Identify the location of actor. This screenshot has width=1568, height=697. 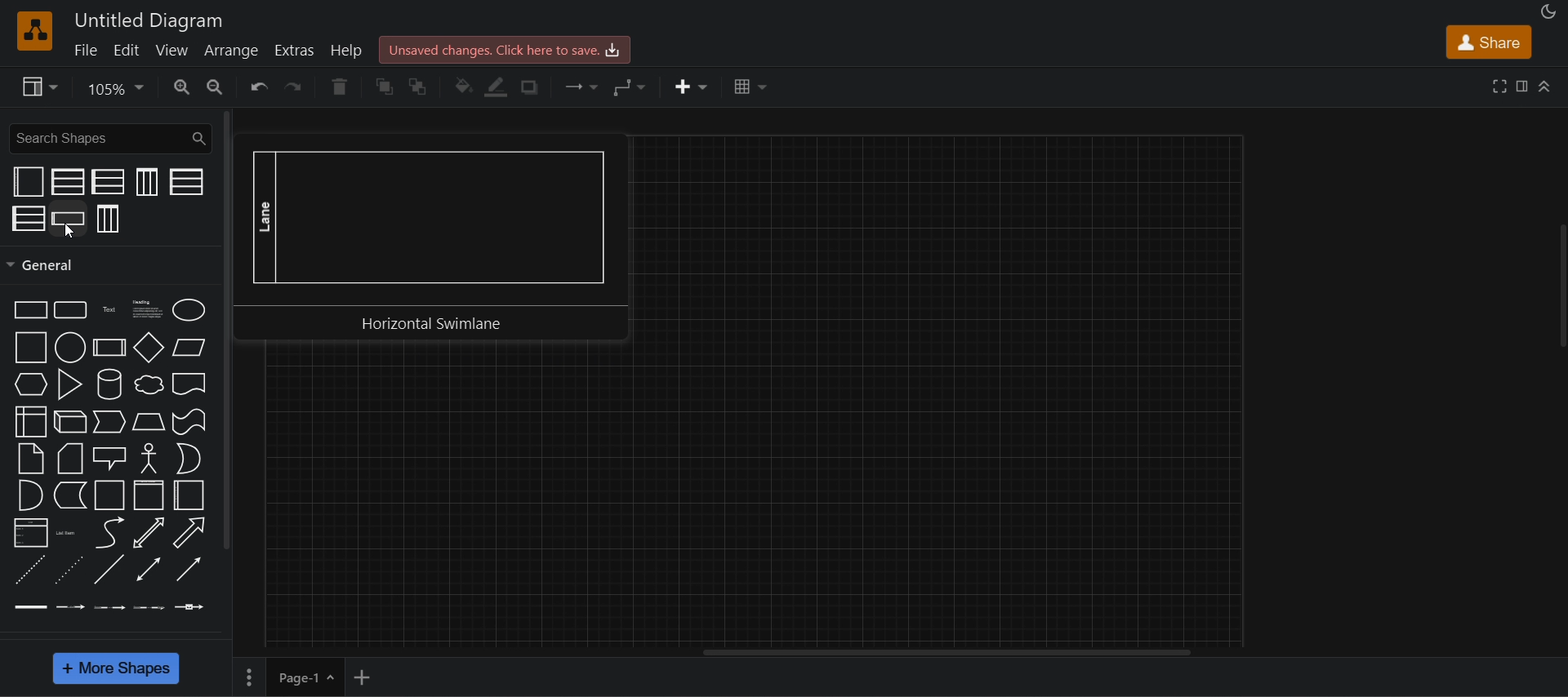
(148, 458).